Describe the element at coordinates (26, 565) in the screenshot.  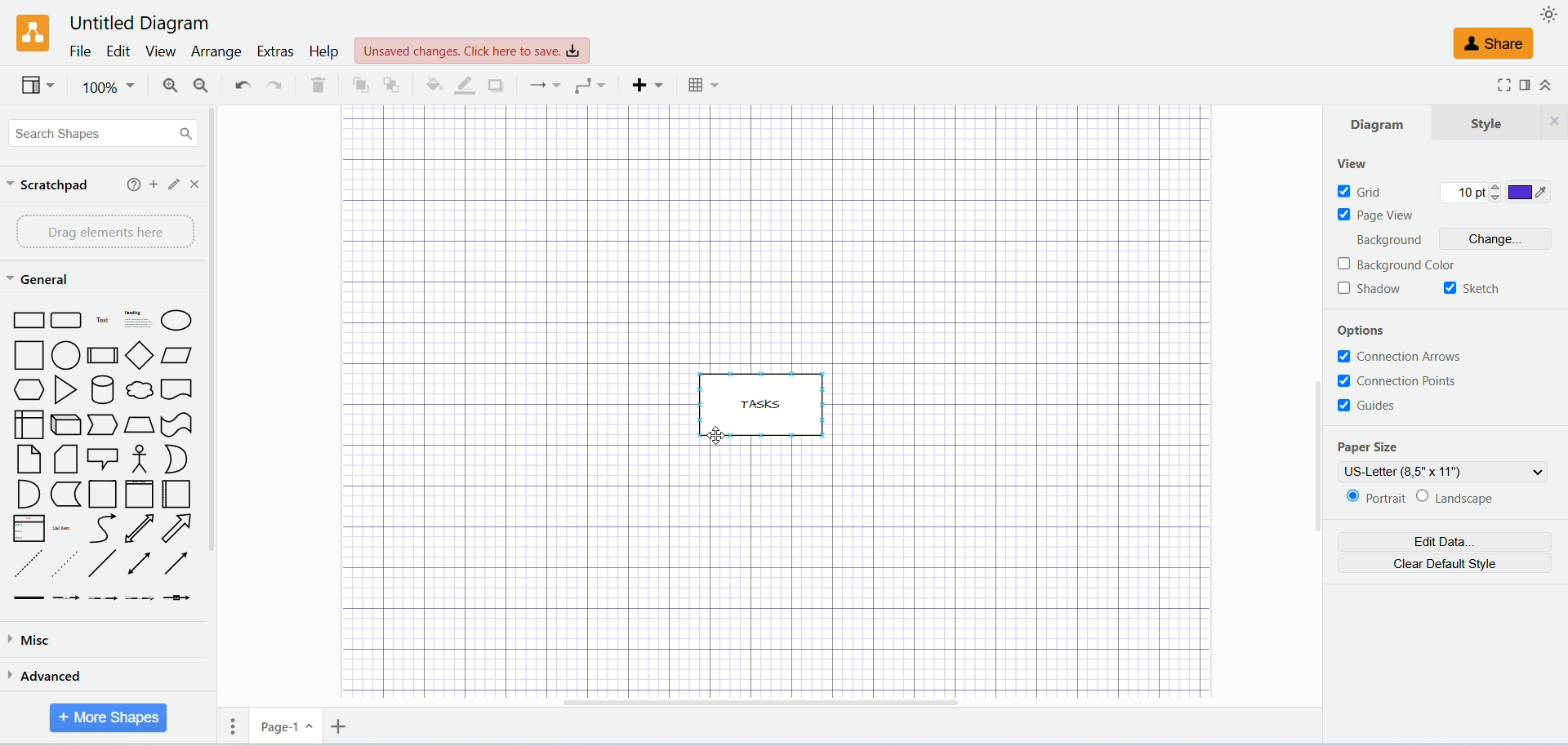
I see `Dashed Line` at that location.